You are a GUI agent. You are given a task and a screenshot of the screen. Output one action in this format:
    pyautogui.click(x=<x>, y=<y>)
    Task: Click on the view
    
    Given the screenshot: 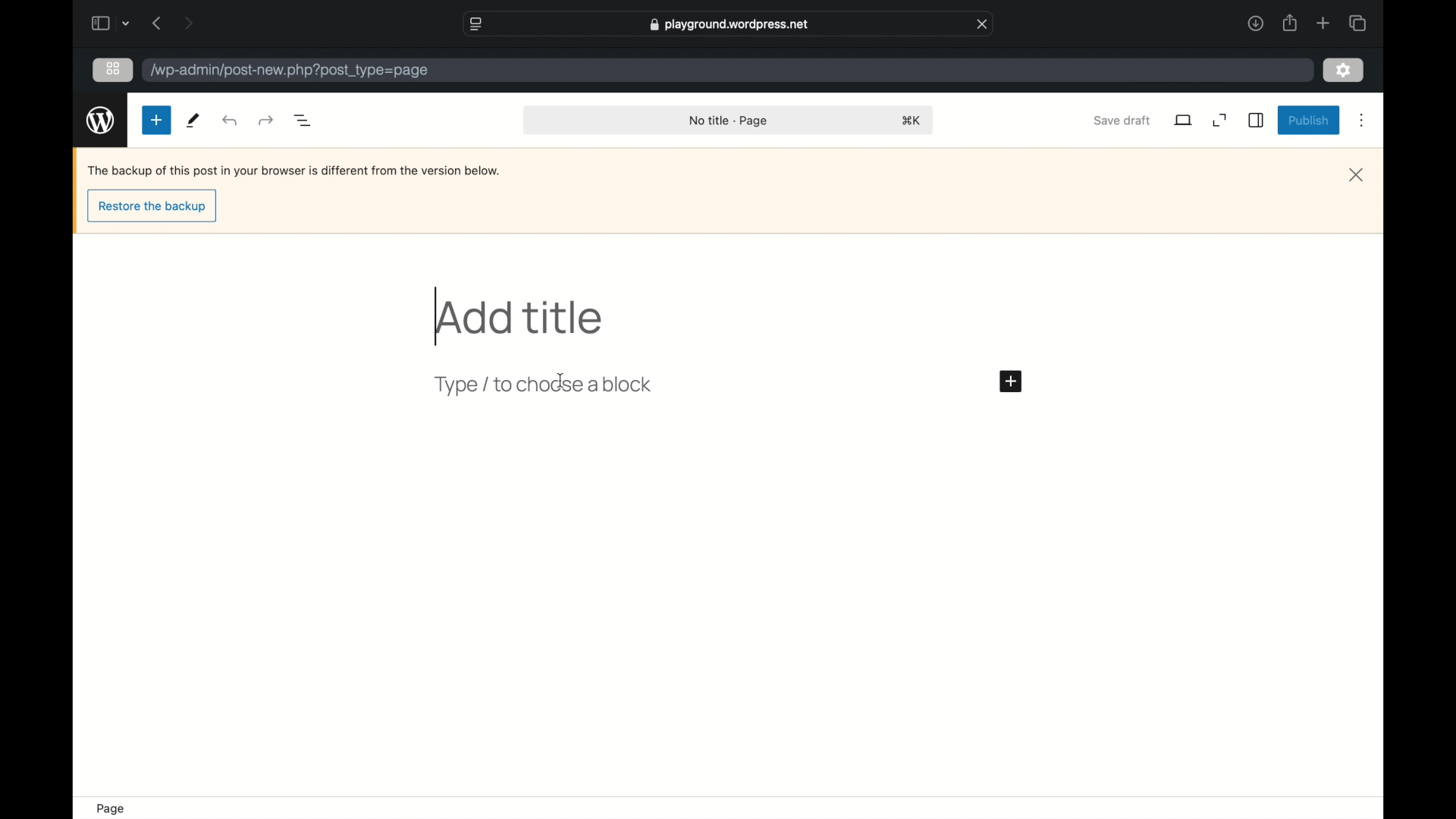 What is the action you would take?
    pyautogui.click(x=1184, y=120)
    